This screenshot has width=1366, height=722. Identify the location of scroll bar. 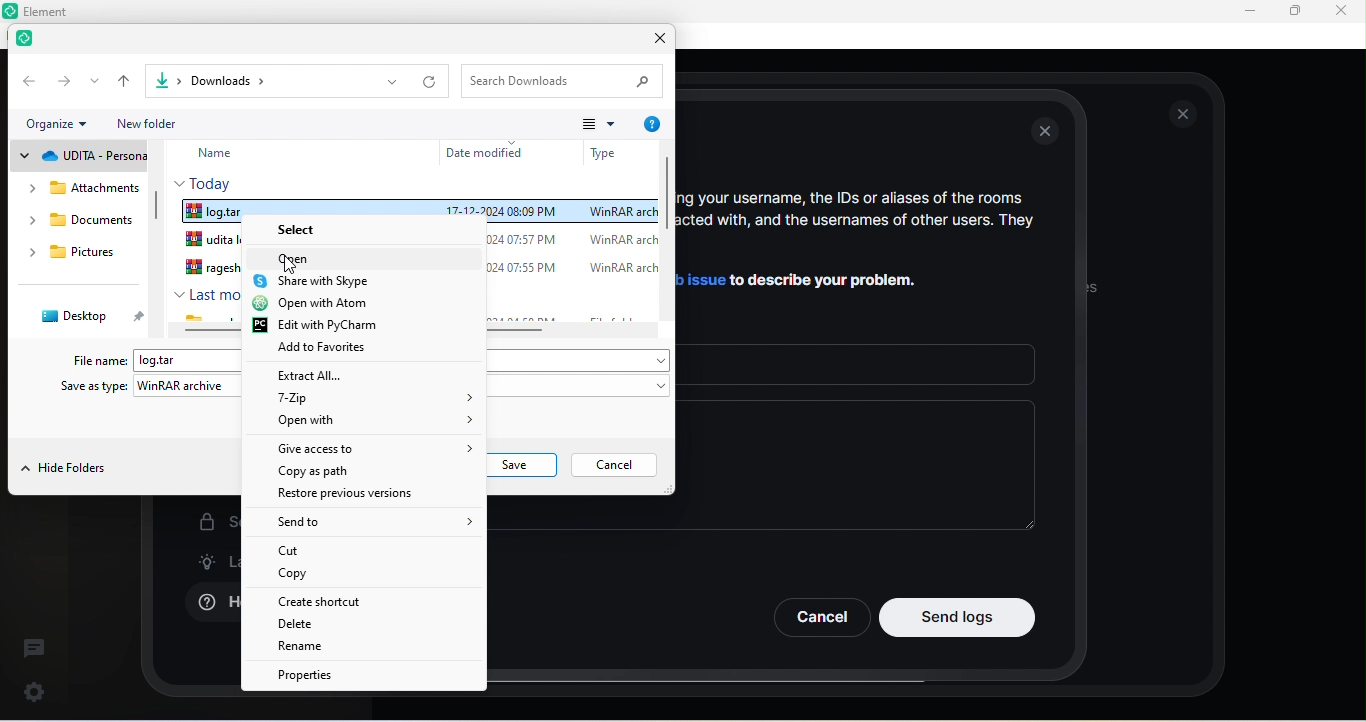
(157, 212).